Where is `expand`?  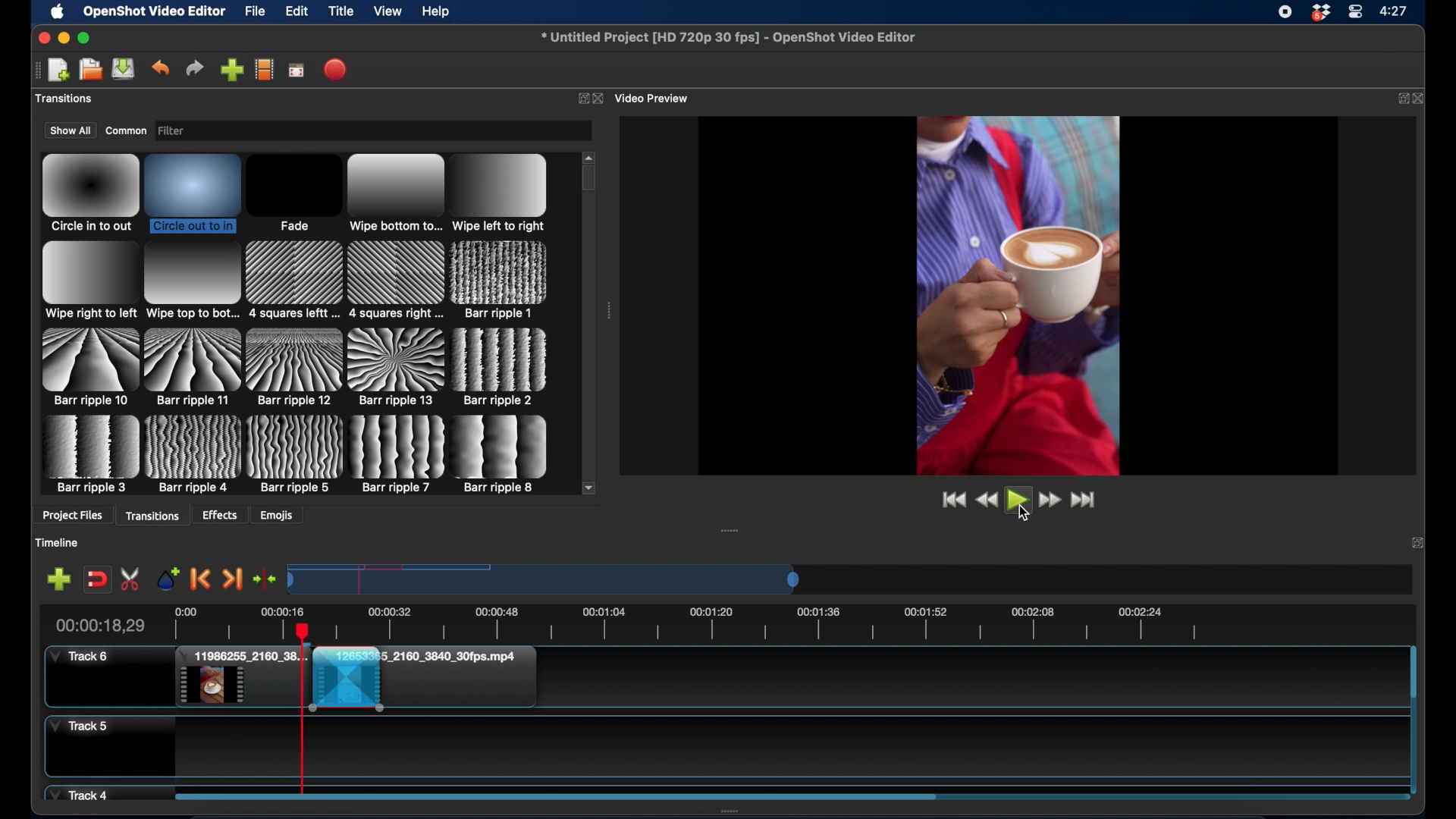
expand is located at coordinates (581, 98).